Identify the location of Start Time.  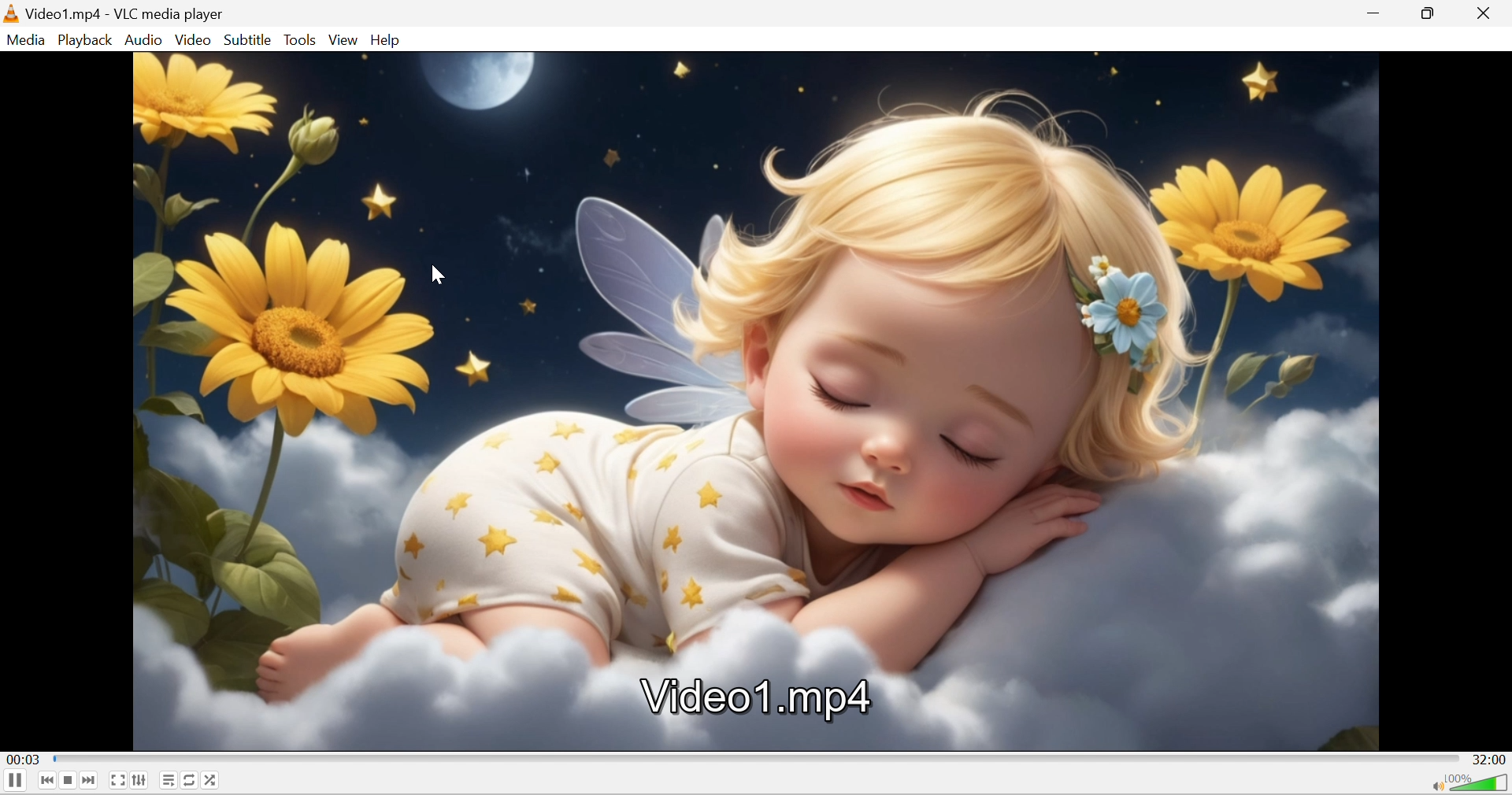
(21, 762).